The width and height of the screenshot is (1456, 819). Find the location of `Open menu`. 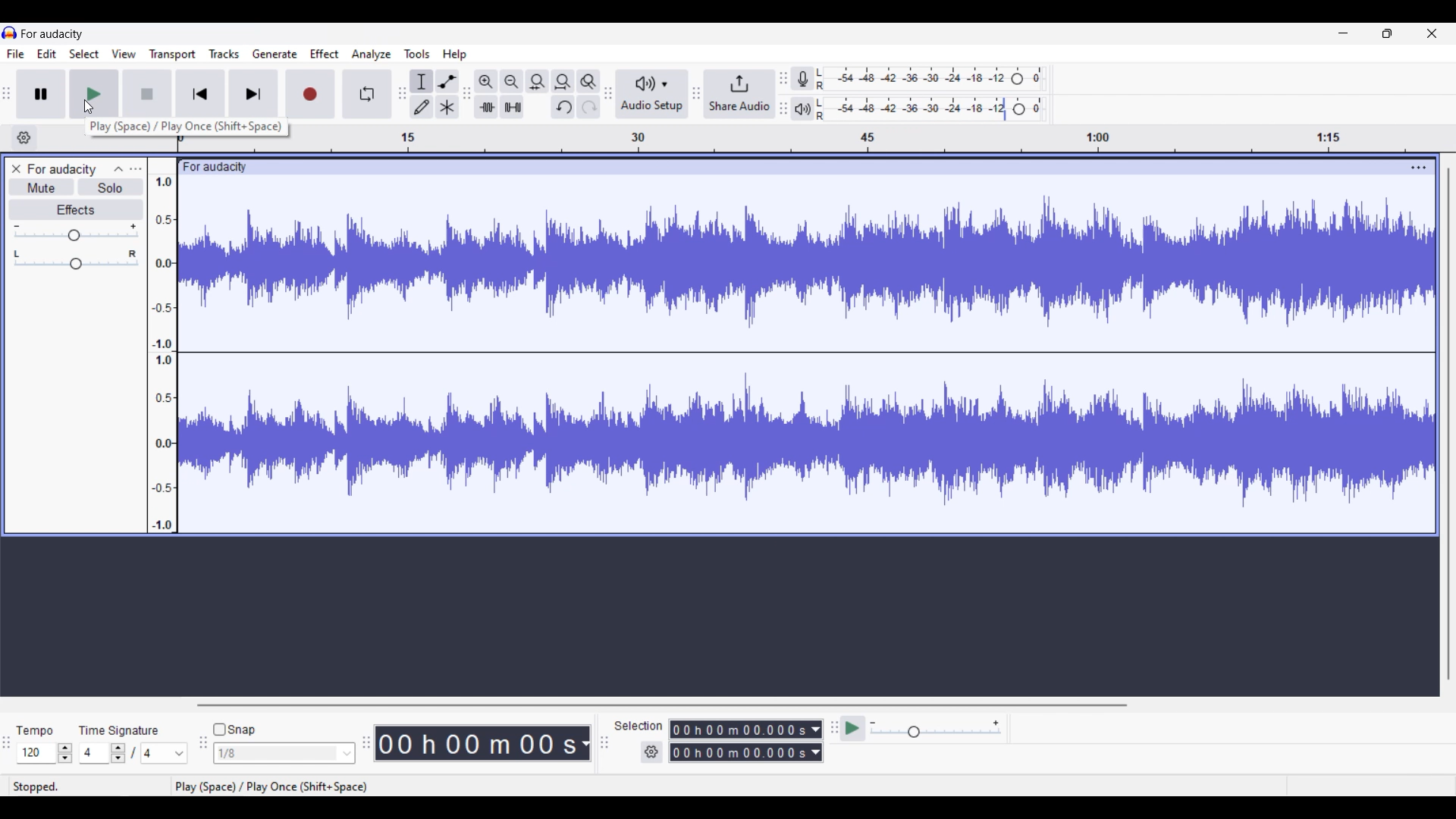

Open menu is located at coordinates (136, 170).